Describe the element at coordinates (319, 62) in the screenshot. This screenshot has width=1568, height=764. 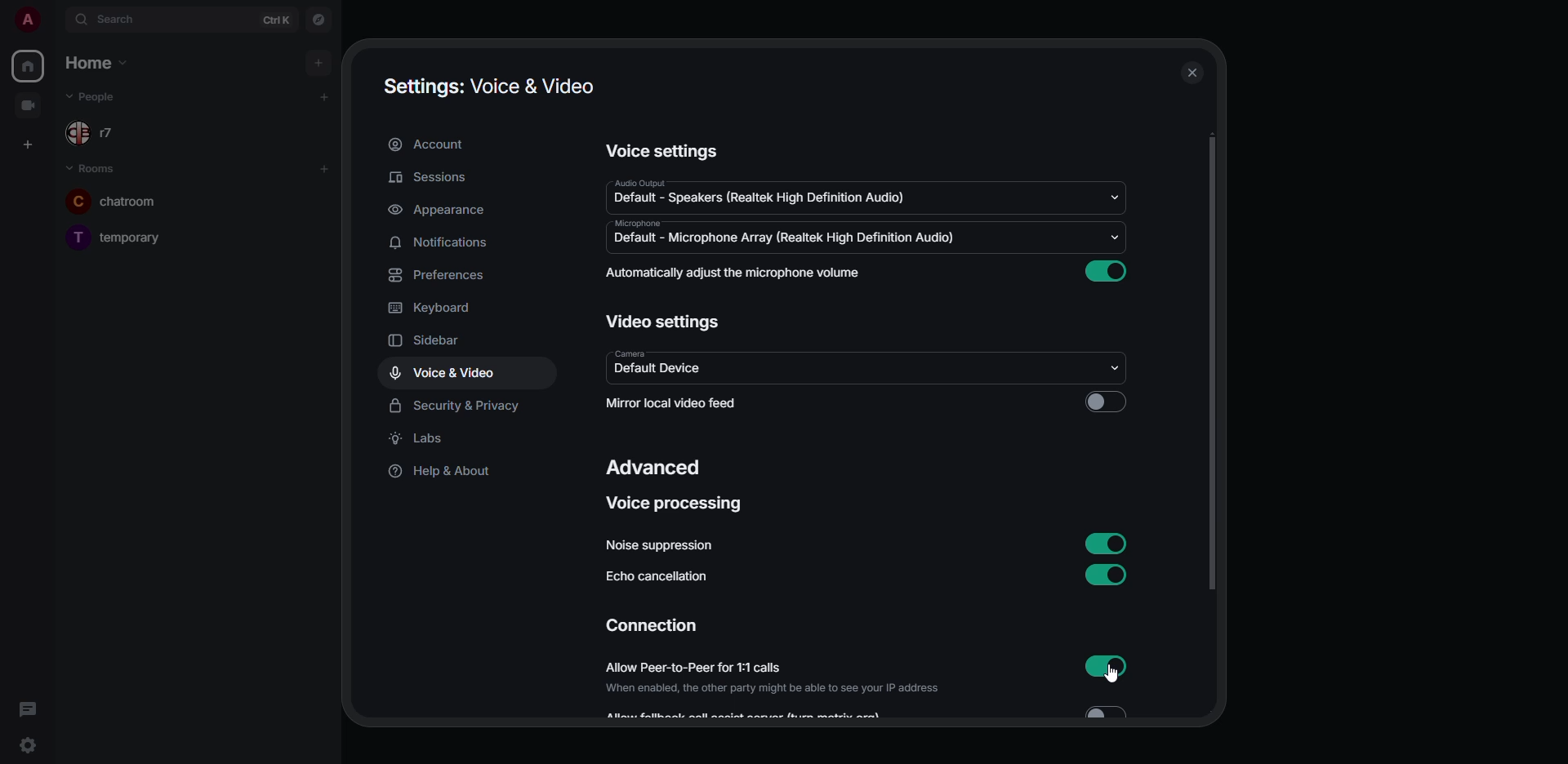
I see `add` at that location.